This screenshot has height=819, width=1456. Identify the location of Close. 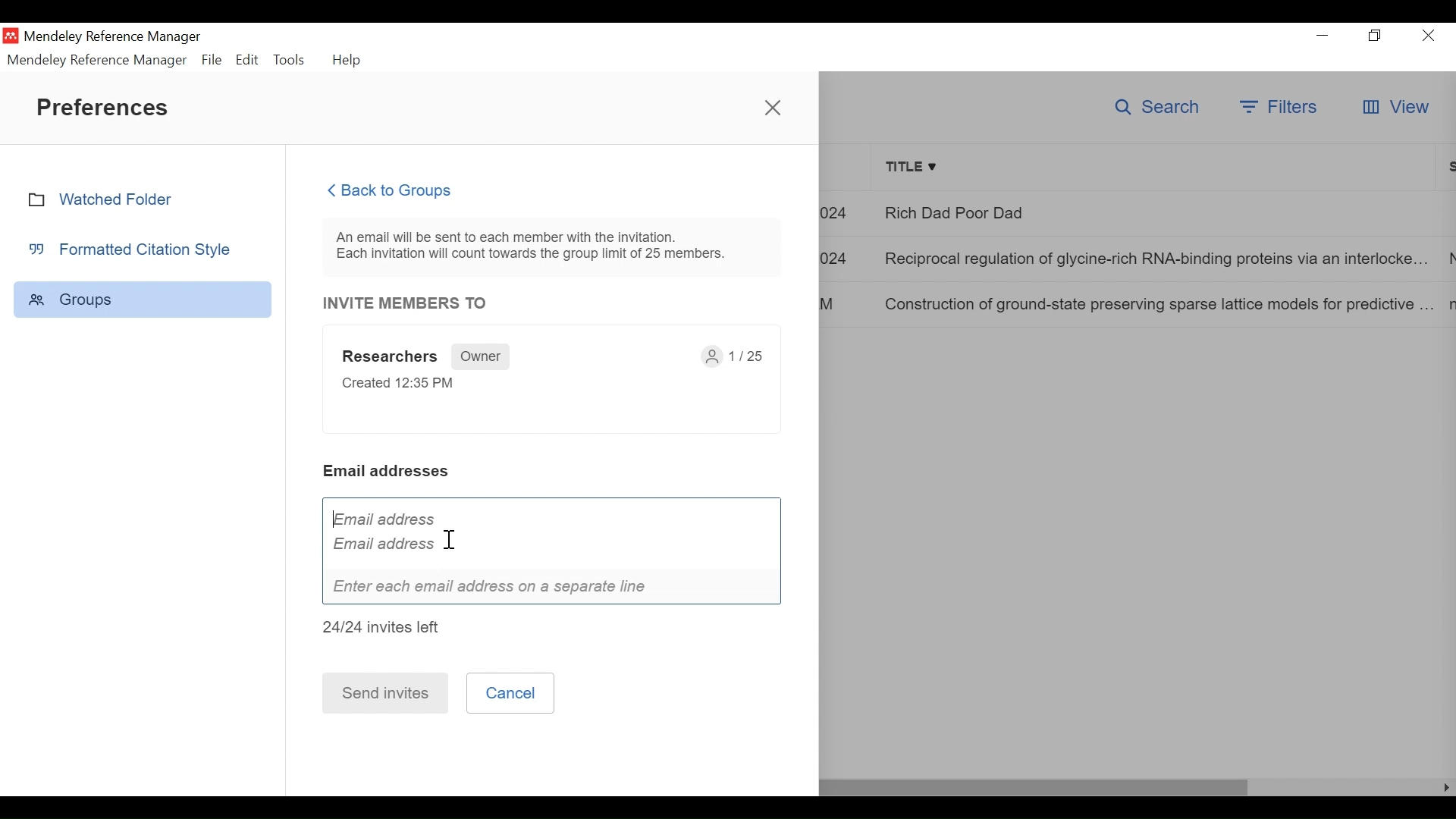
(773, 105).